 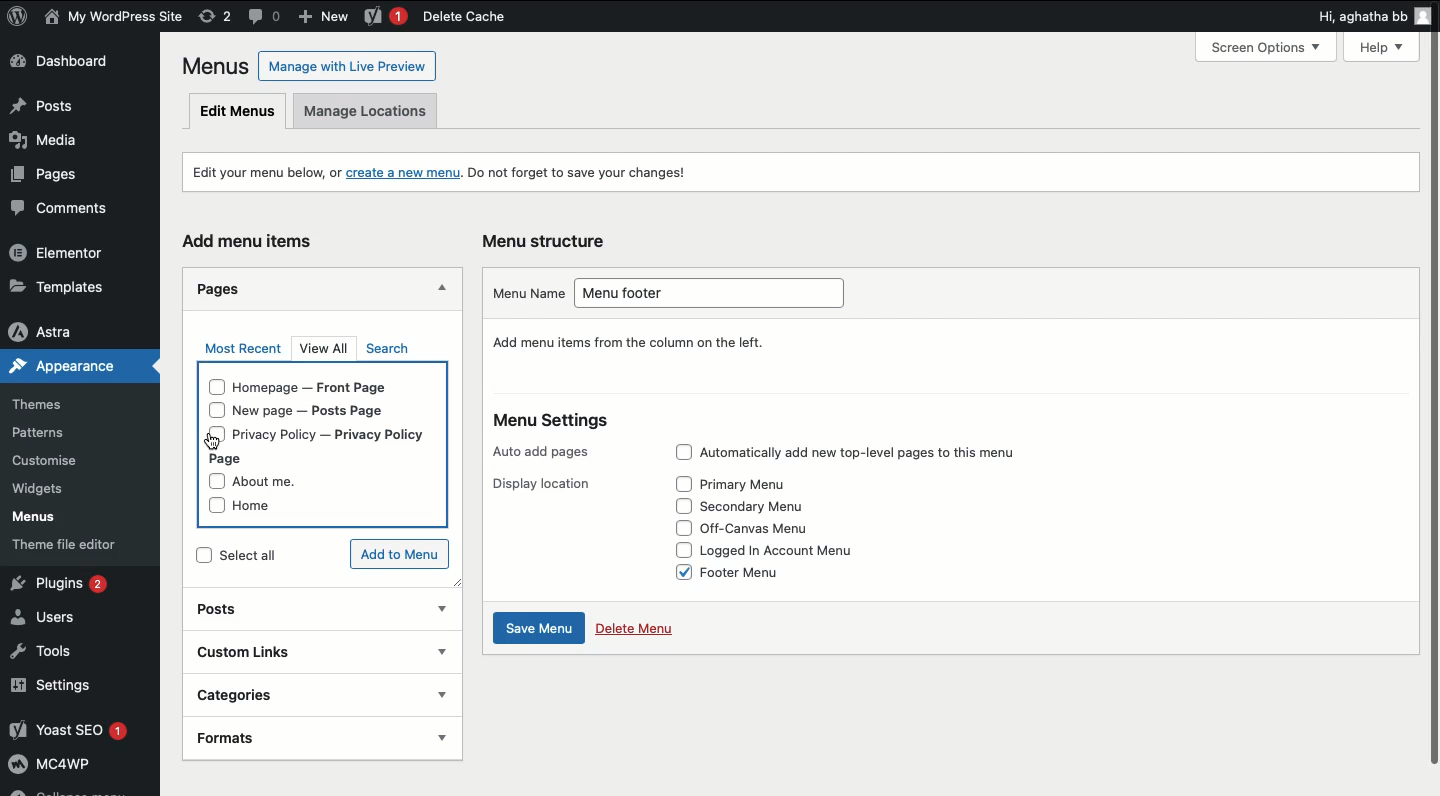 I want to click on Comment, so click(x=265, y=15).